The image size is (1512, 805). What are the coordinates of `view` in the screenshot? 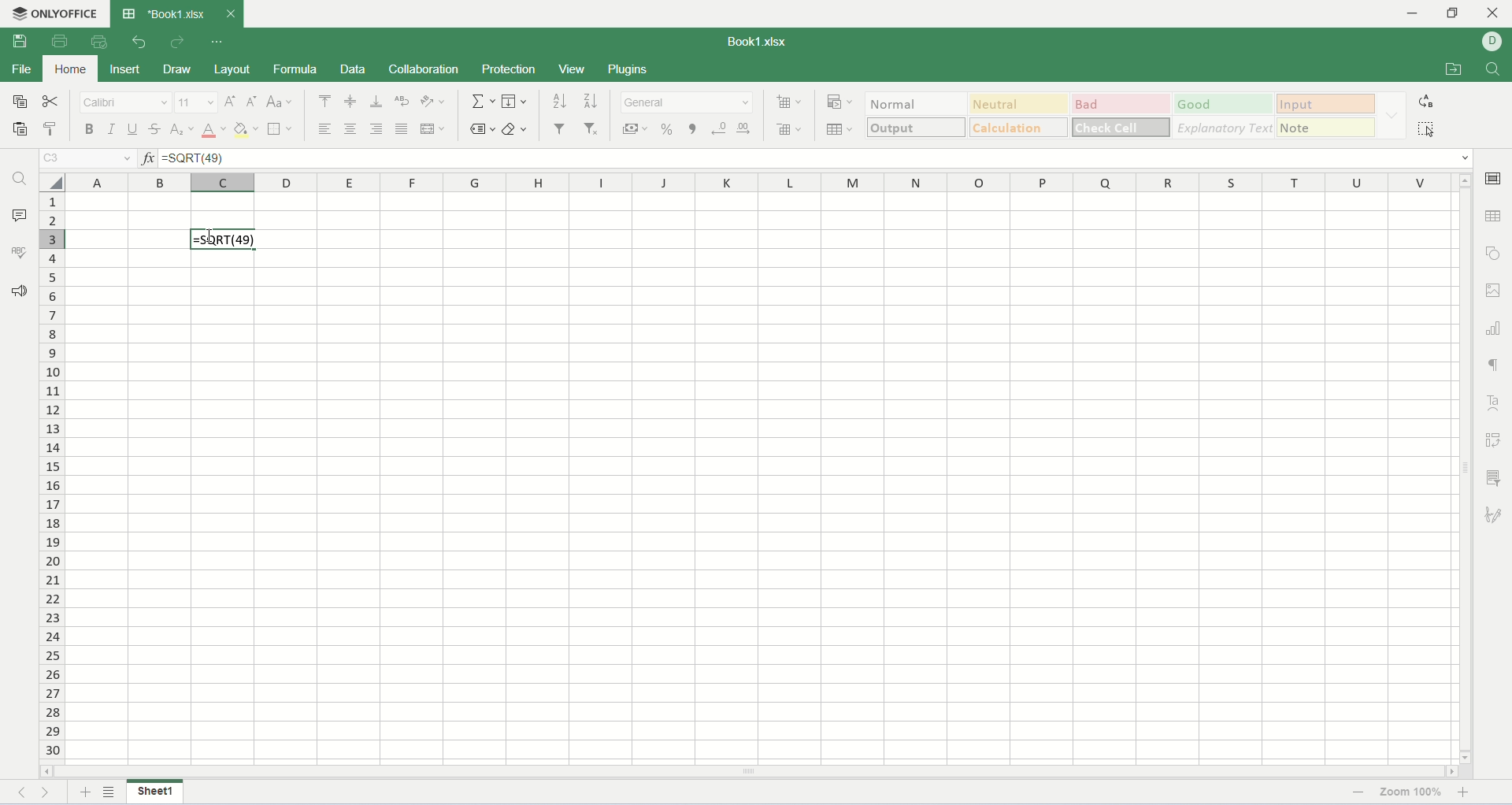 It's located at (573, 68).